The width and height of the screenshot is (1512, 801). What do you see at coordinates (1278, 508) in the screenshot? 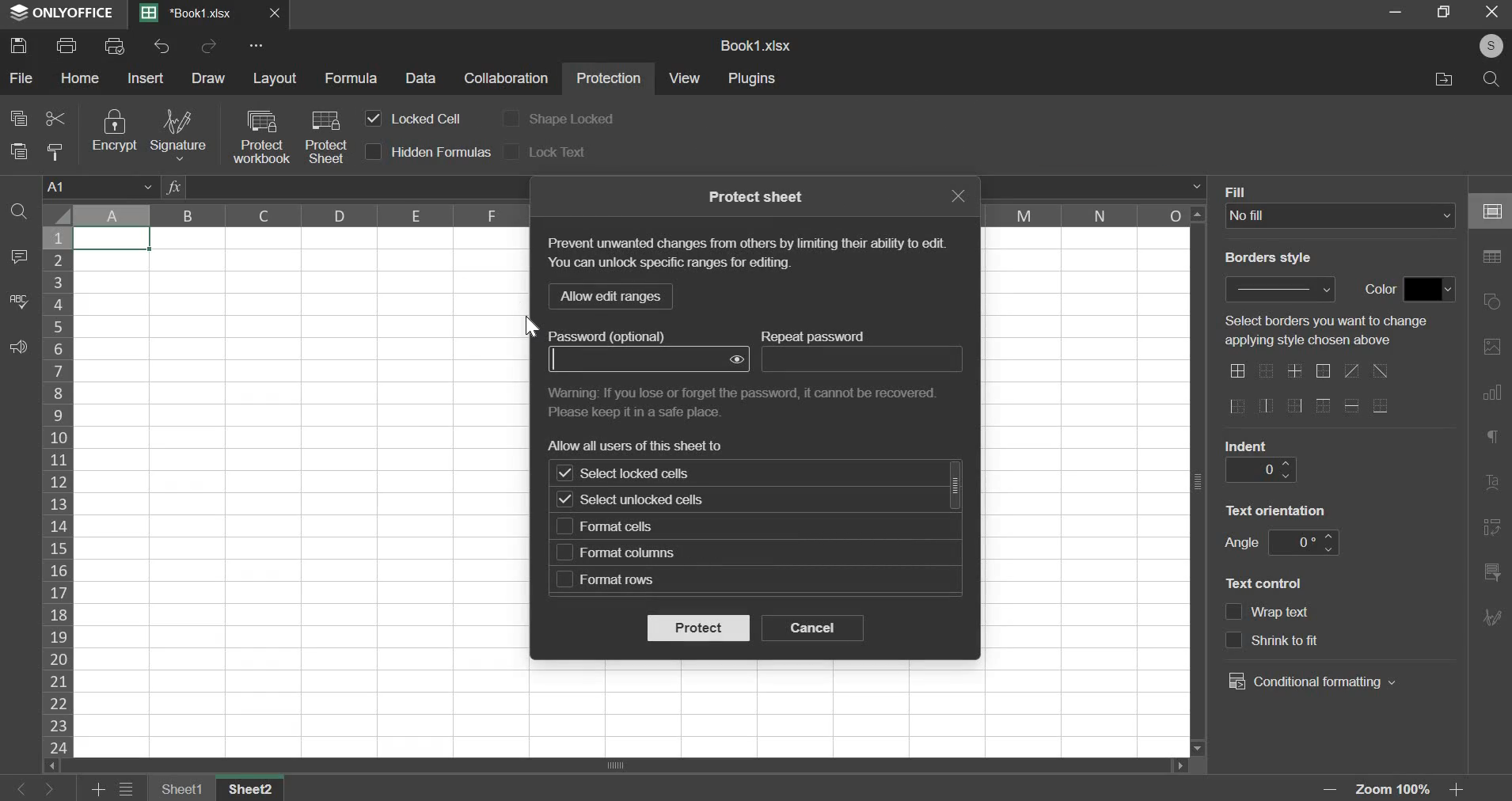
I see `text` at bounding box center [1278, 508].